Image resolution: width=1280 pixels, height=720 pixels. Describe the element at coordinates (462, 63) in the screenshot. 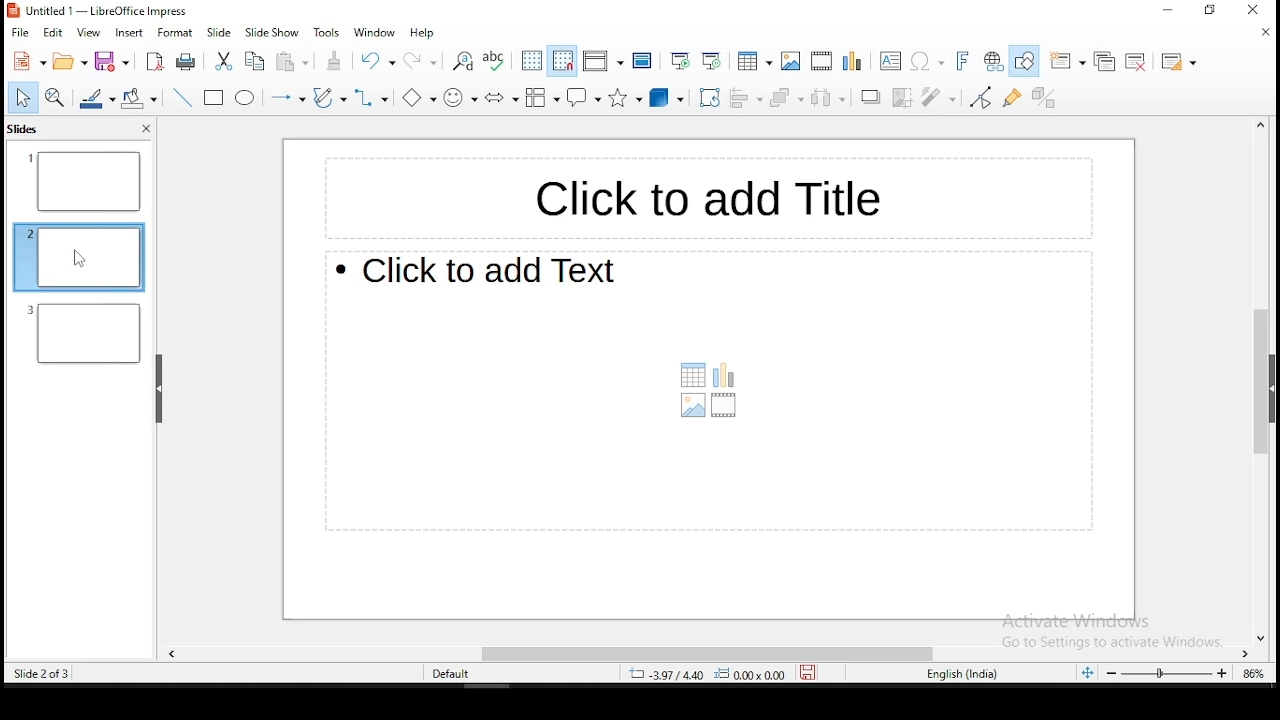

I see `find and replace` at that location.